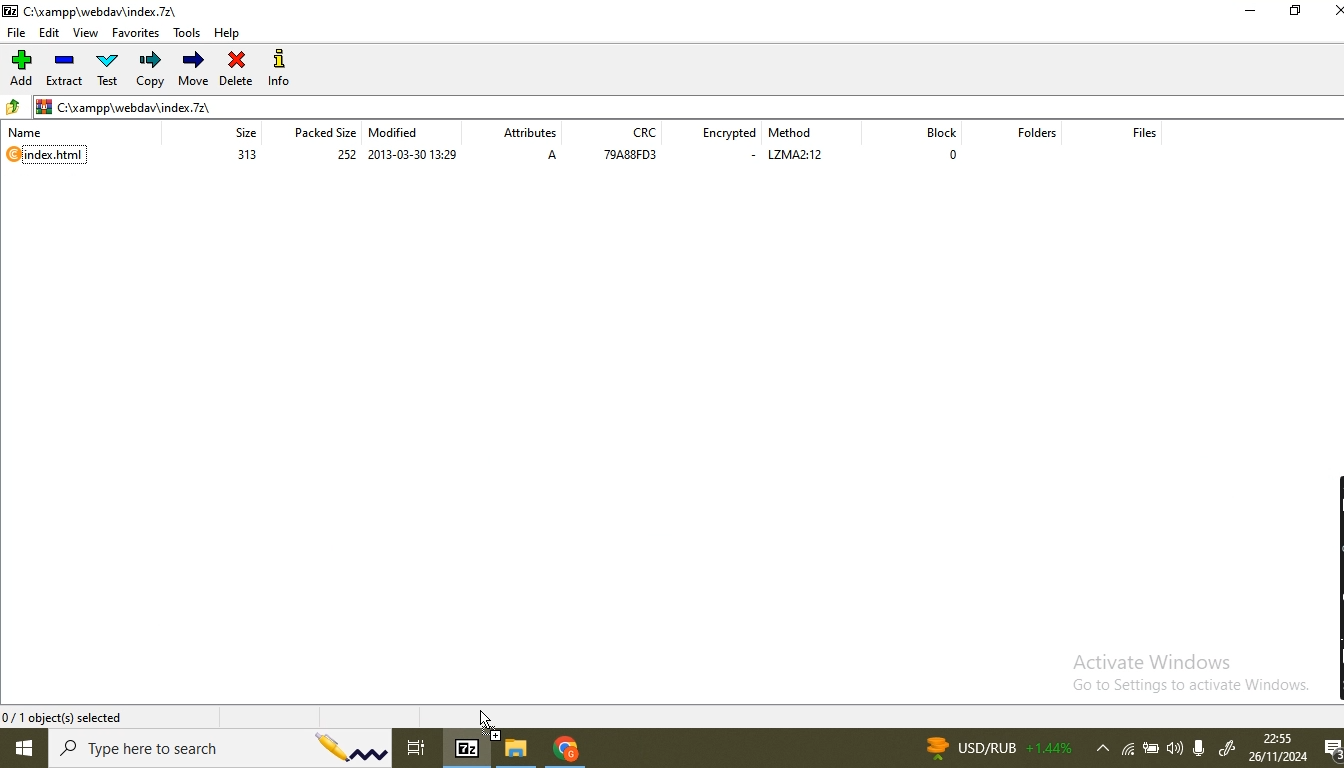 The image size is (1344, 768). Describe the element at coordinates (401, 131) in the screenshot. I see `modified` at that location.